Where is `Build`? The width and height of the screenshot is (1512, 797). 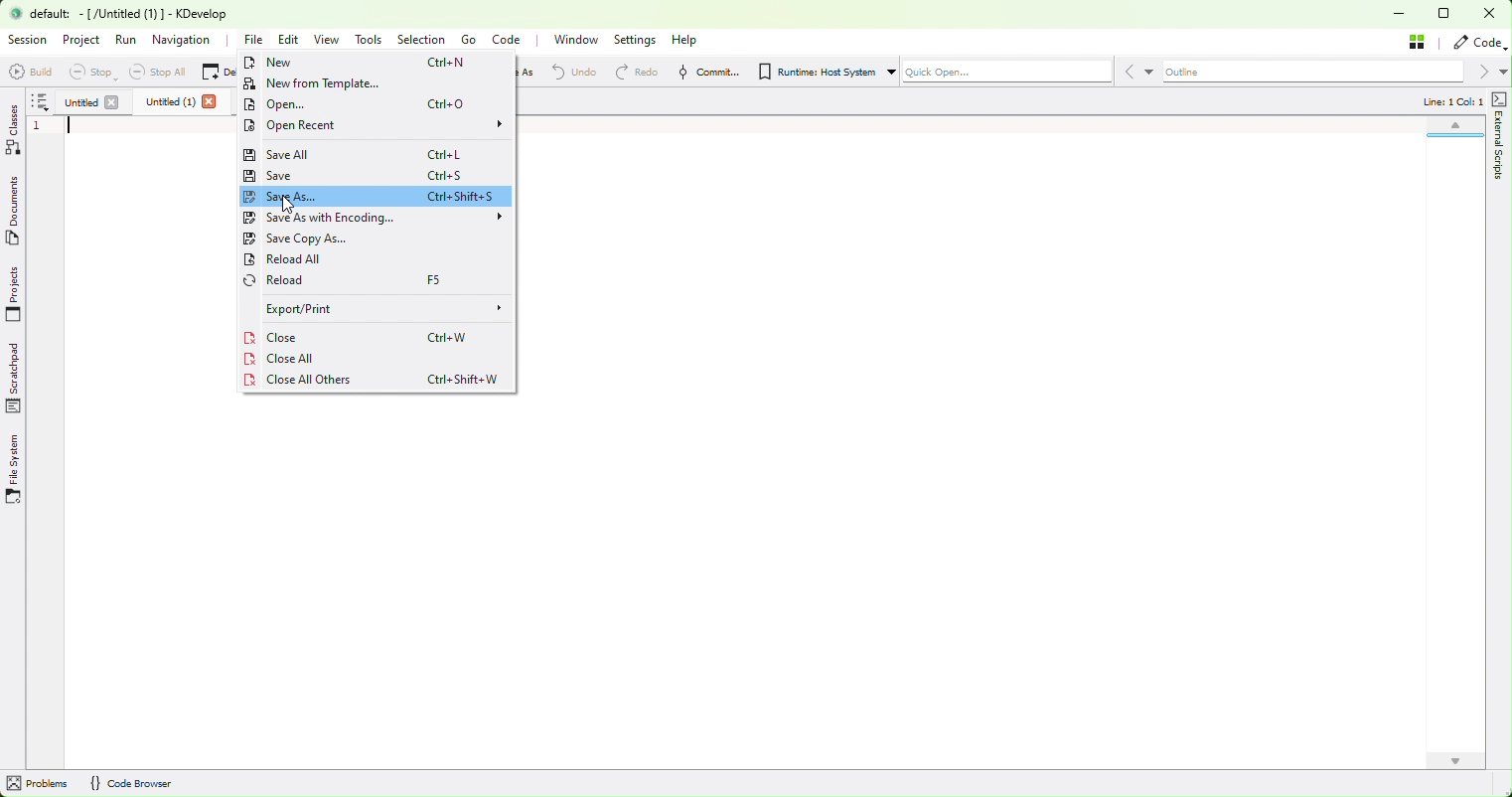
Build is located at coordinates (31, 72).